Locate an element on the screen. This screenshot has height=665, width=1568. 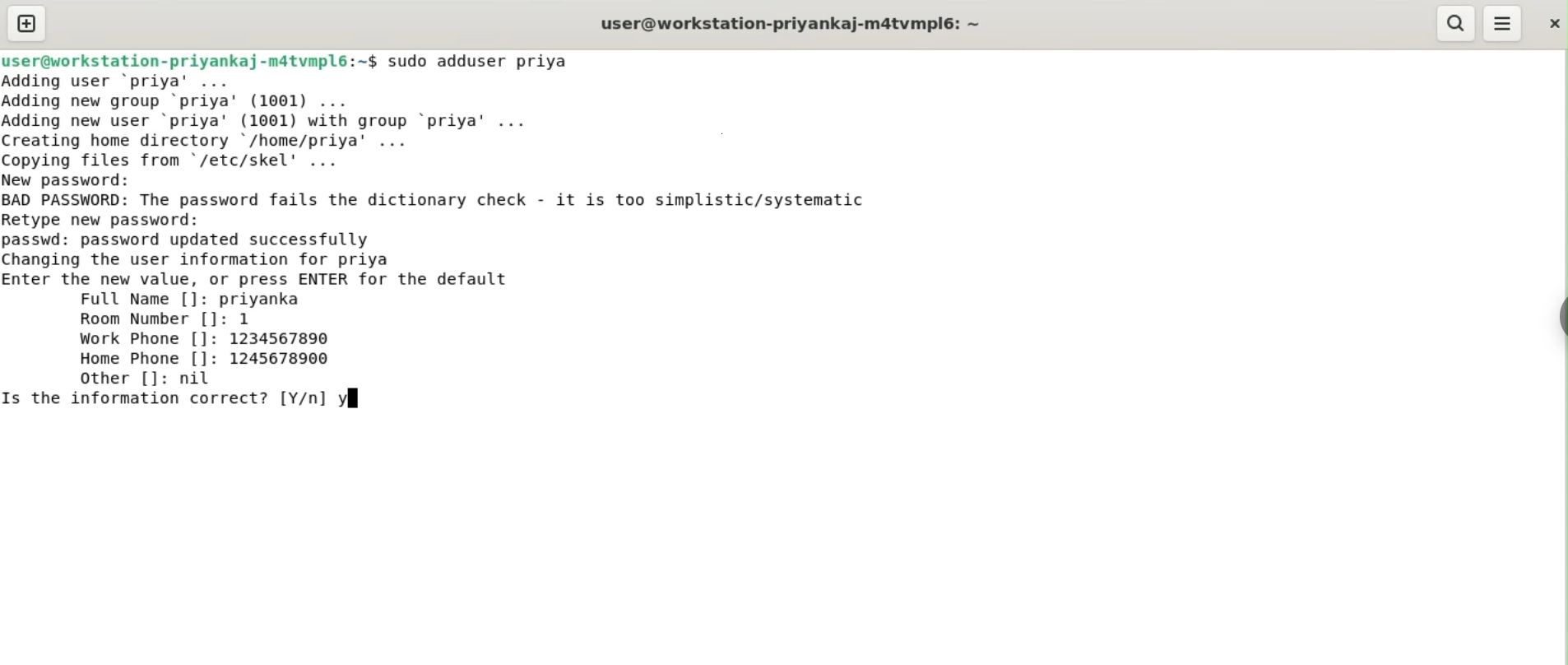
passwd: password updated successfully    changing the user information for priya  enter the new value, or press ENTER for default value is located at coordinates (295, 257).